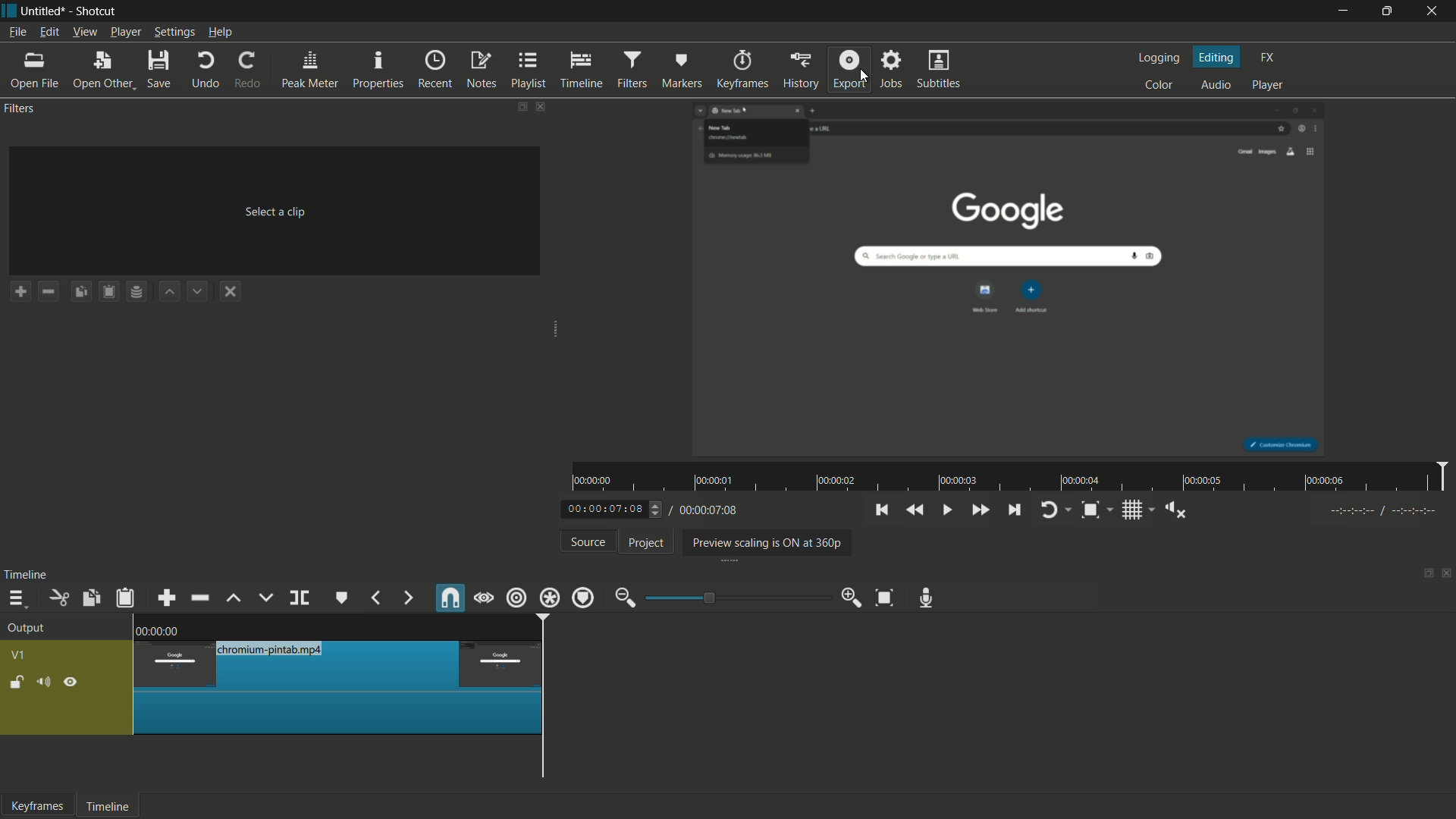 This screenshot has height=819, width=1456. Describe the element at coordinates (800, 69) in the screenshot. I see `history` at that location.